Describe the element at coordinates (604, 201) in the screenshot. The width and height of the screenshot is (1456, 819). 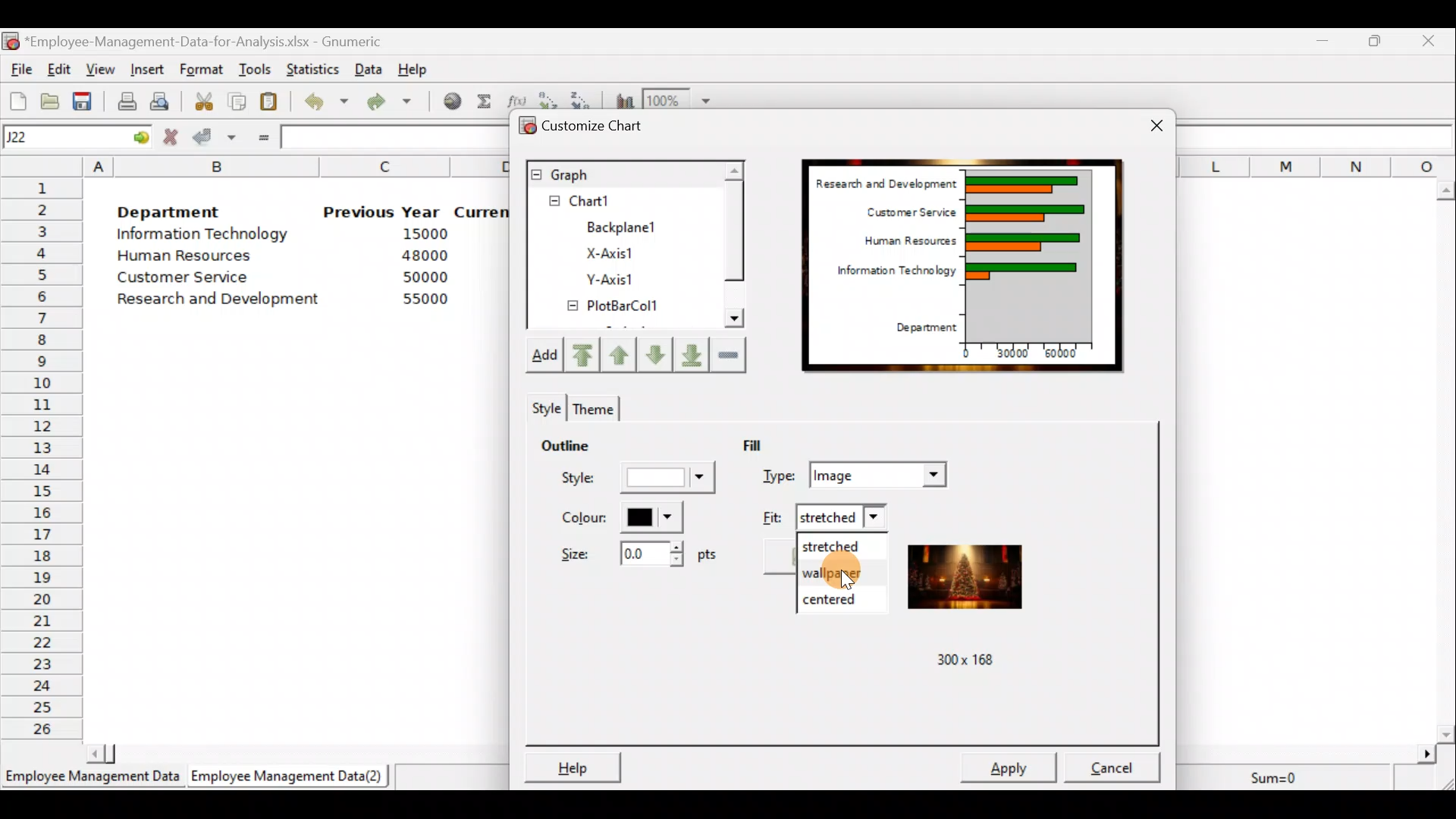
I see `Chart1` at that location.